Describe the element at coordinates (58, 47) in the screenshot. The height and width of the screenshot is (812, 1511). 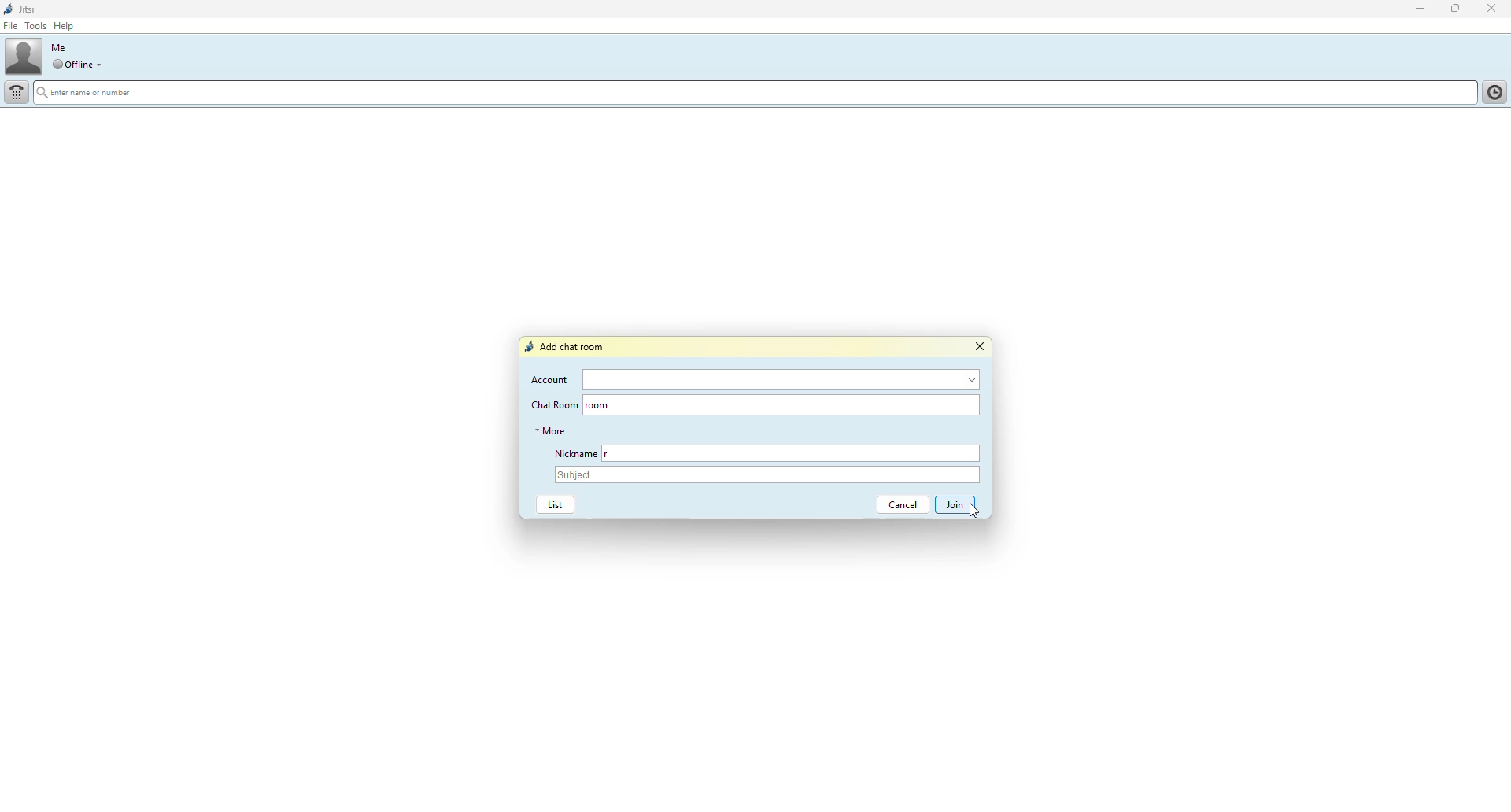
I see `me` at that location.